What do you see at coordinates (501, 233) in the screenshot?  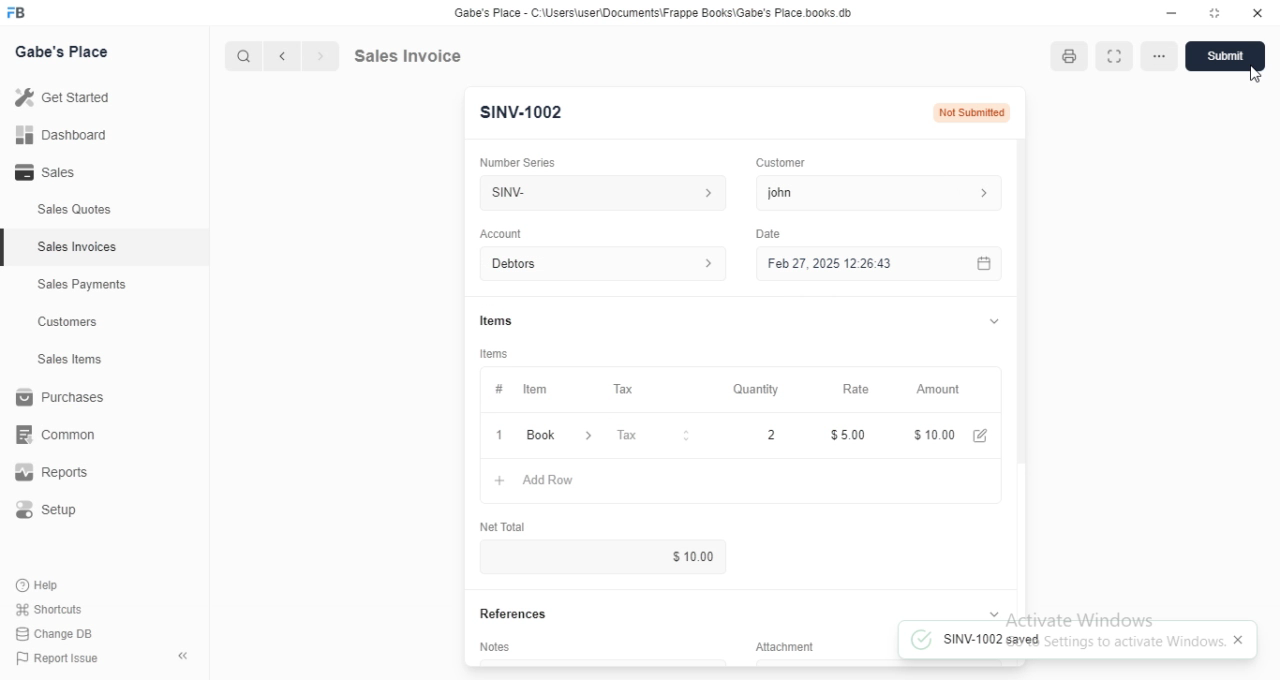 I see `Account` at bounding box center [501, 233].